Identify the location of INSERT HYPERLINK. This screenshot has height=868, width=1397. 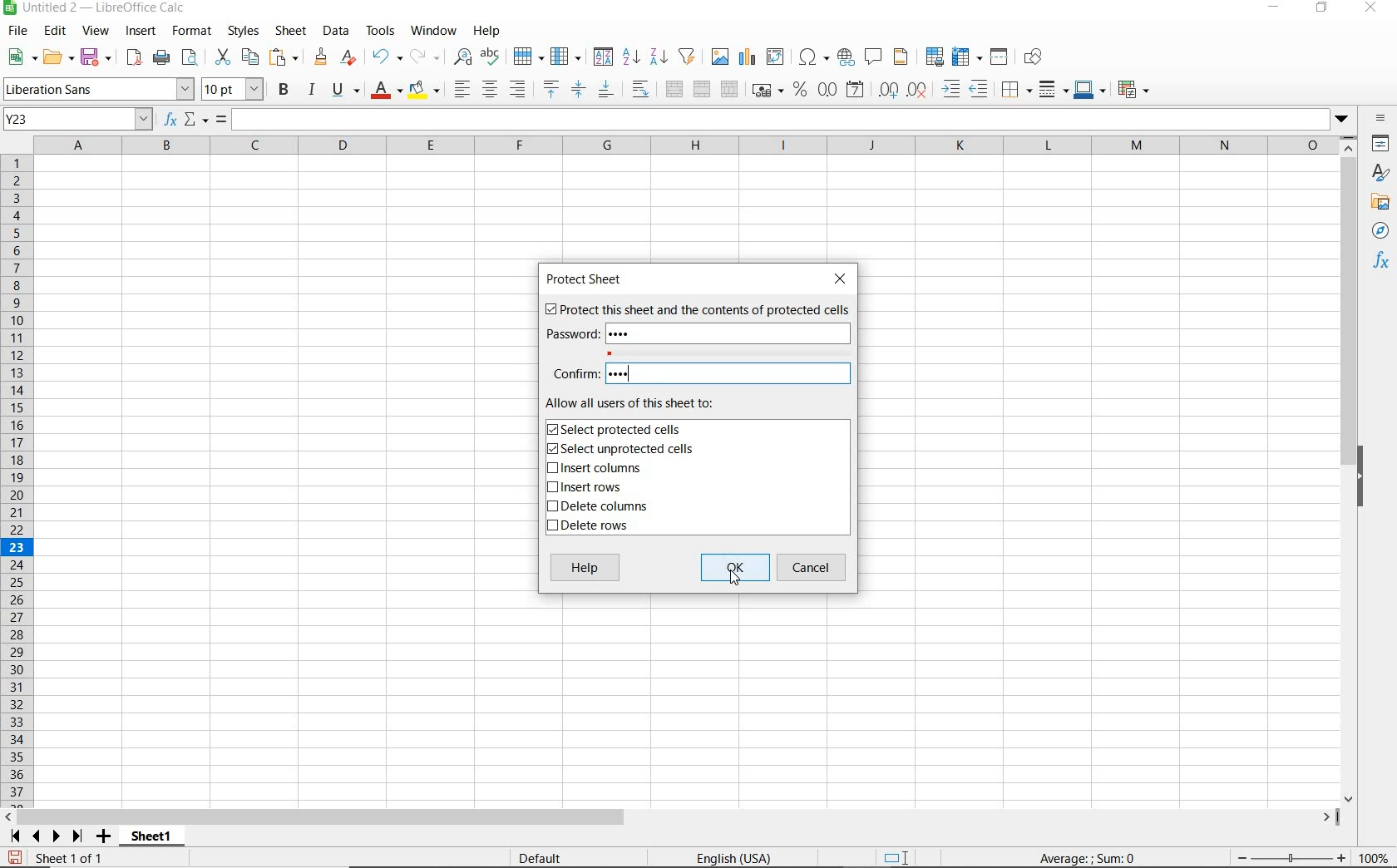
(846, 57).